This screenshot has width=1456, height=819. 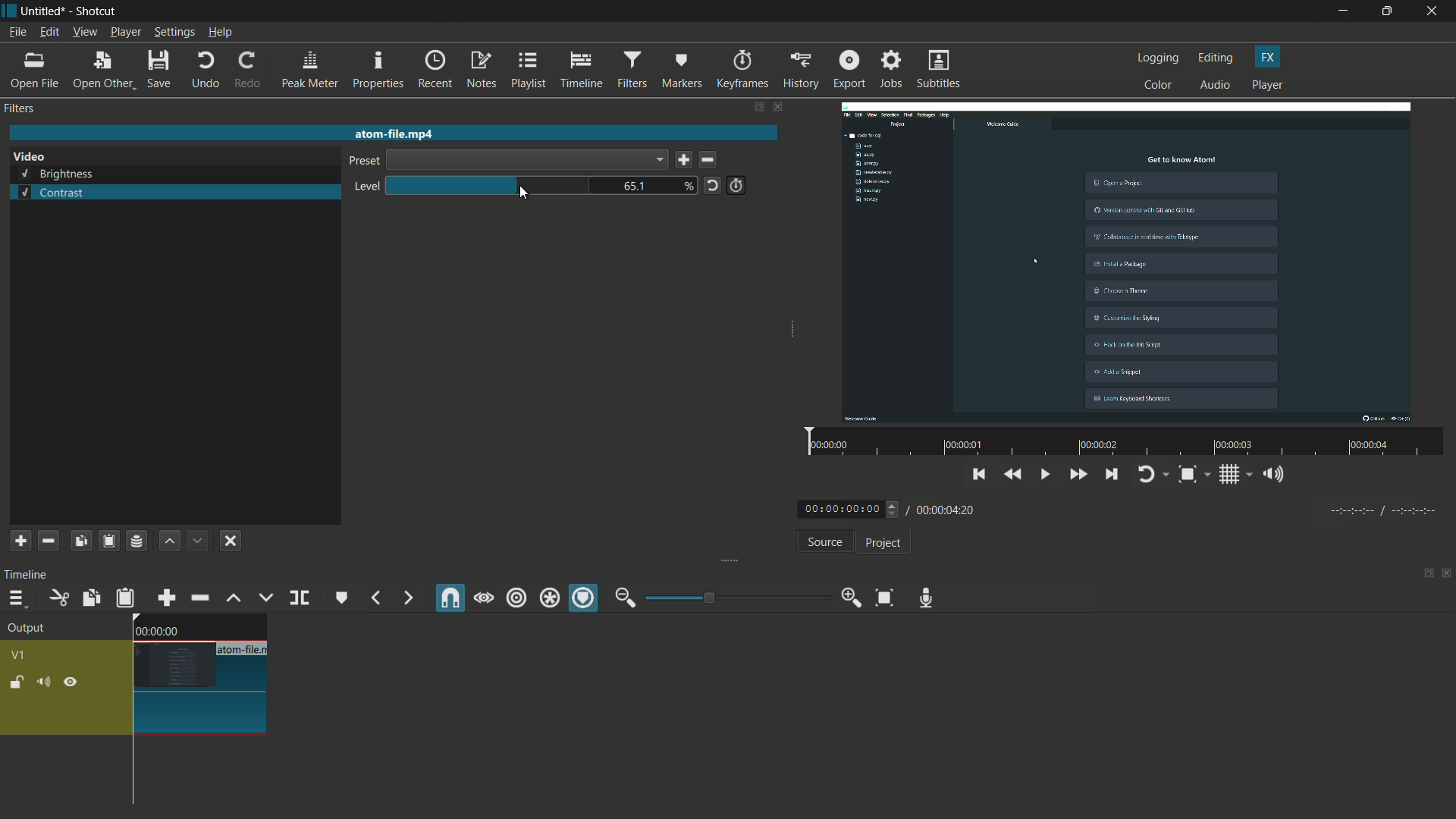 I want to click on move filter down, so click(x=199, y=541).